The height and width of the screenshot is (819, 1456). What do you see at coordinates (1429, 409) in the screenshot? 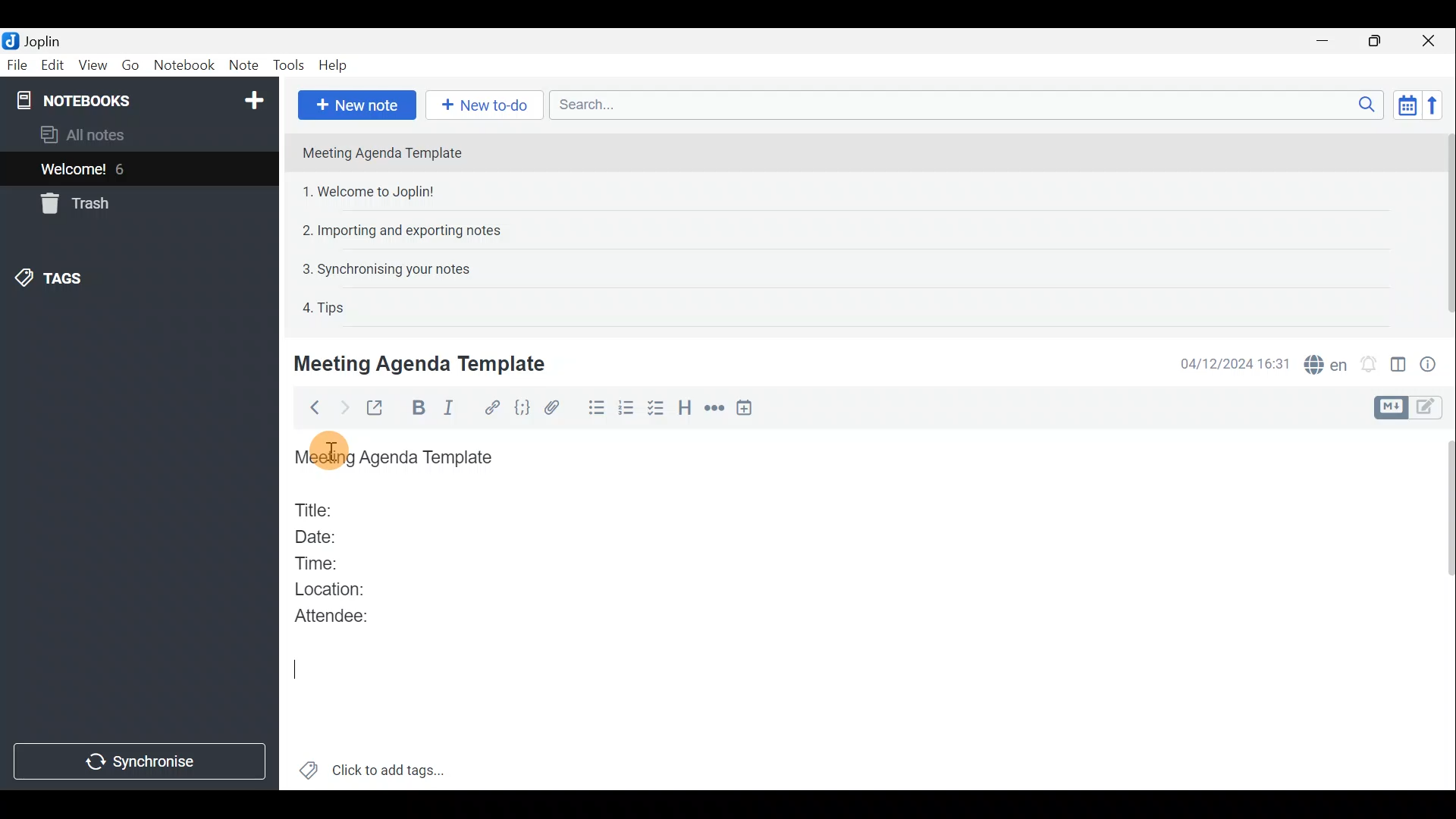
I see `Toggle editors` at bounding box center [1429, 409].